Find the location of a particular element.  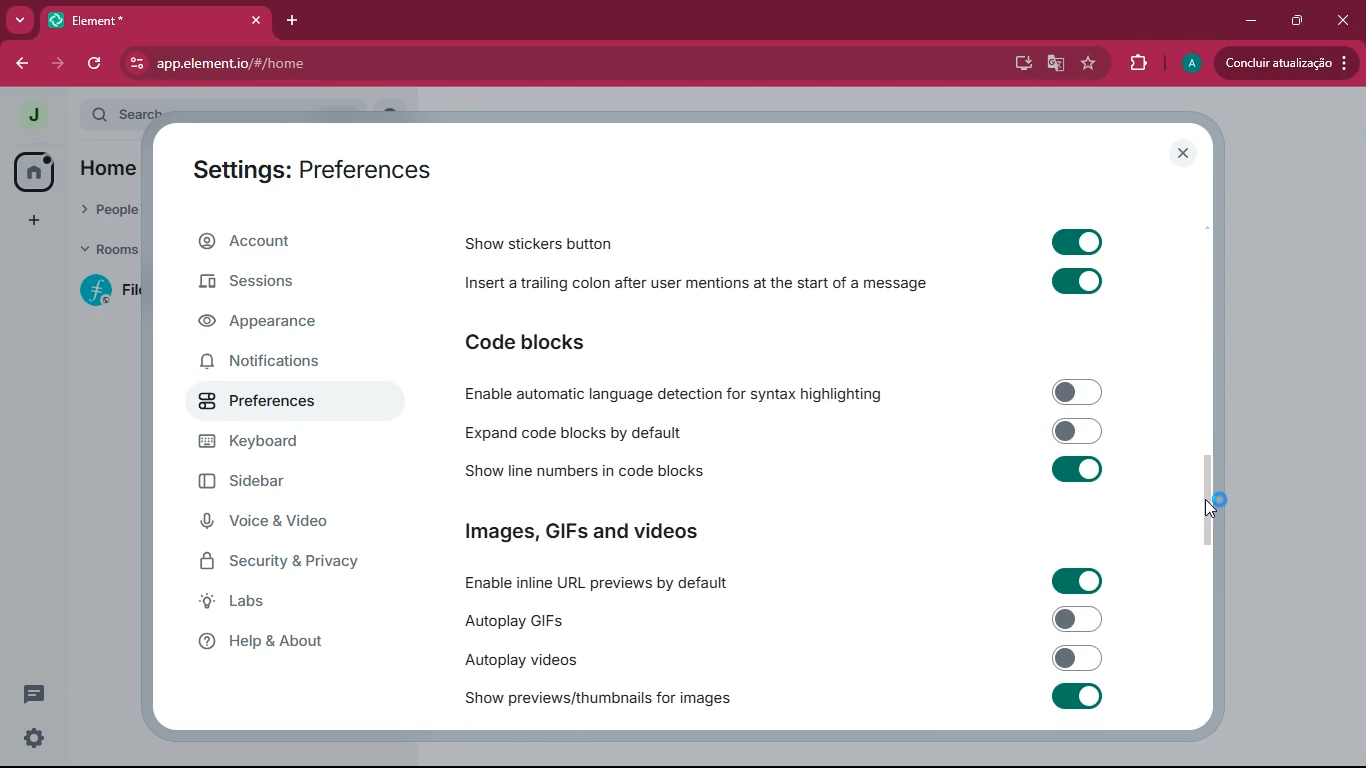

Toggle off is located at coordinates (1077, 657).